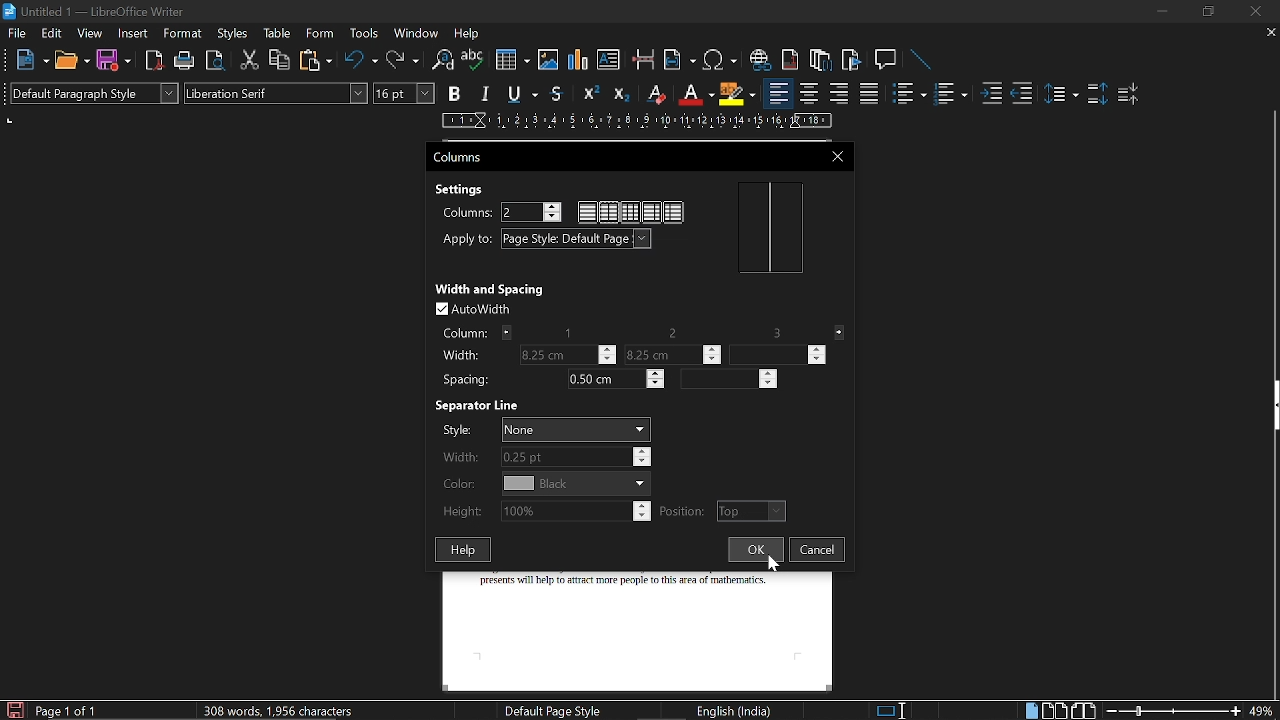 Image resolution: width=1280 pixels, height=720 pixels. Describe the element at coordinates (483, 405) in the screenshot. I see `Separator Line` at that location.